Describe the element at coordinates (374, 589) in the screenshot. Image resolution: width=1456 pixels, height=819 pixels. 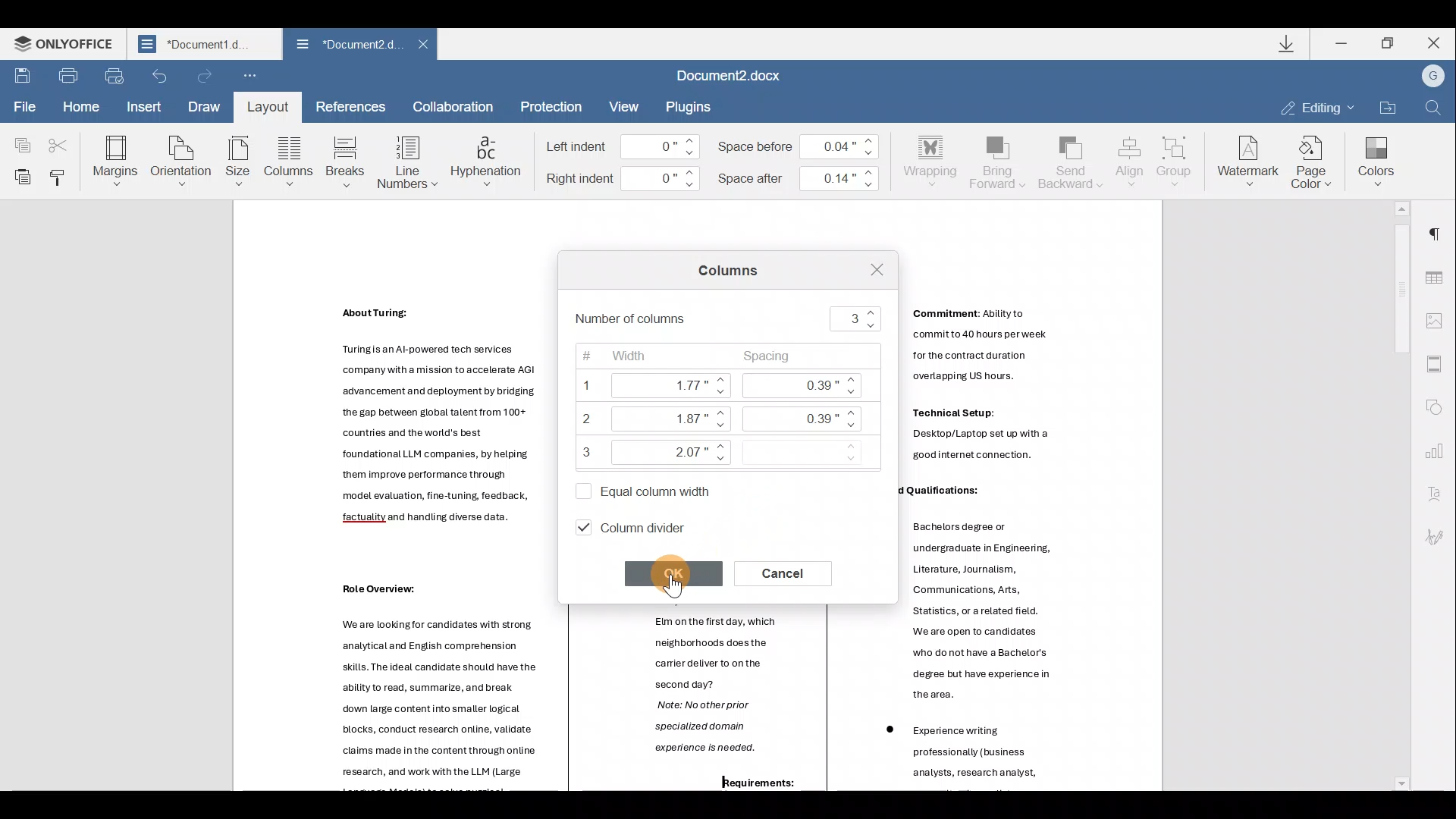
I see `` at that location.